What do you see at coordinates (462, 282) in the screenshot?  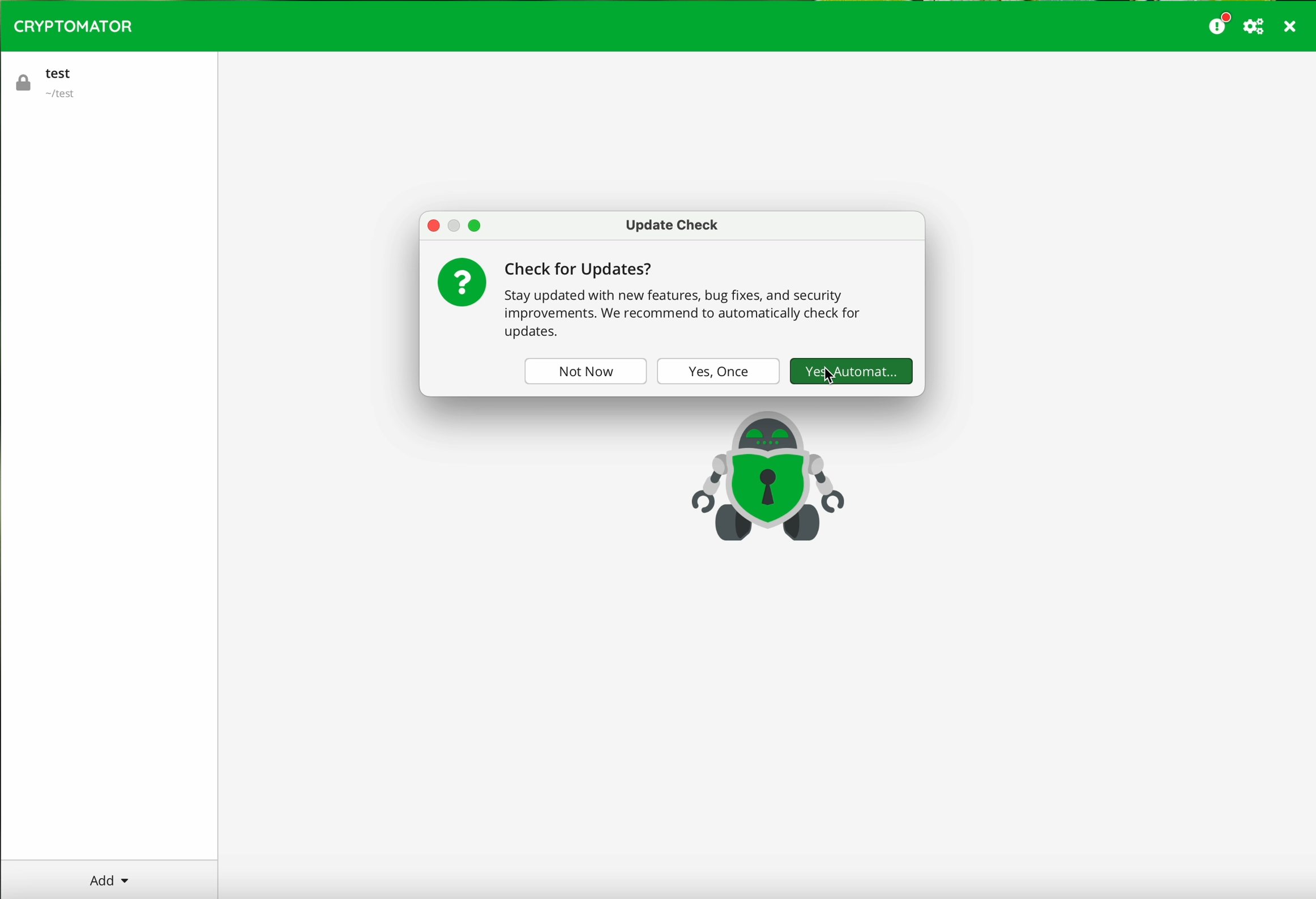 I see `Question mark` at bounding box center [462, 282].